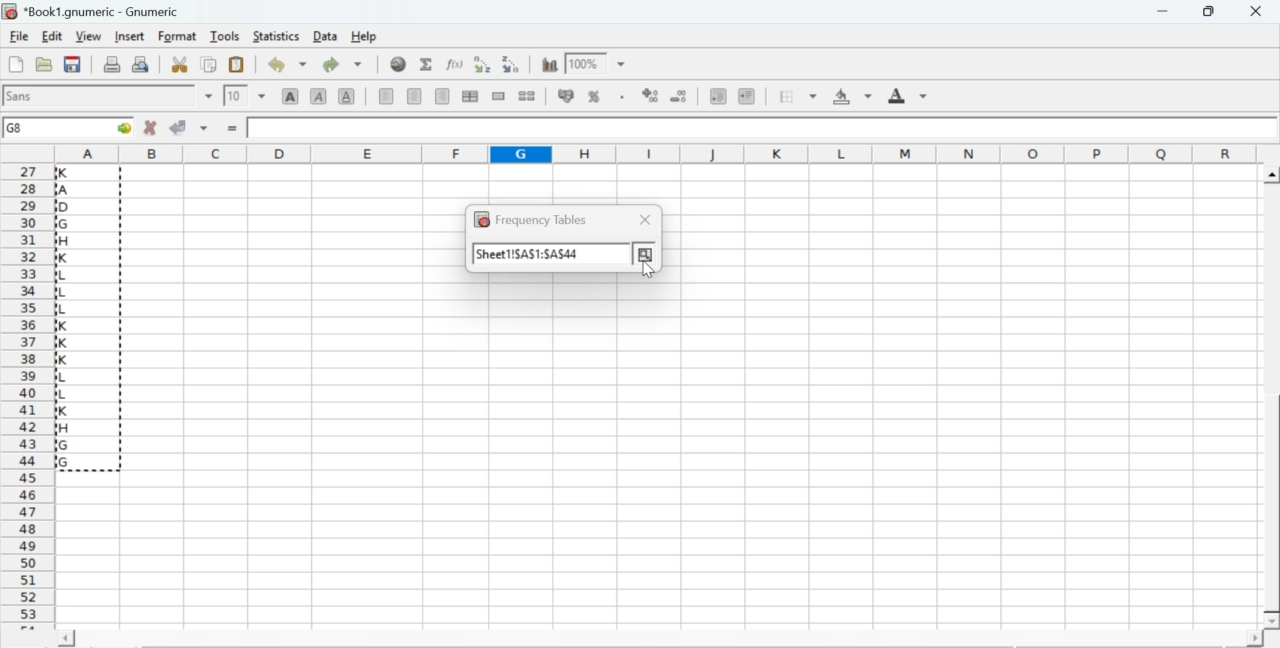 Image resolution: width=1280 pixels, height=648 pixels. What do you see at coordinates (854, 96) in the screenshot?
I see `background` at bounding box center [854, 96].